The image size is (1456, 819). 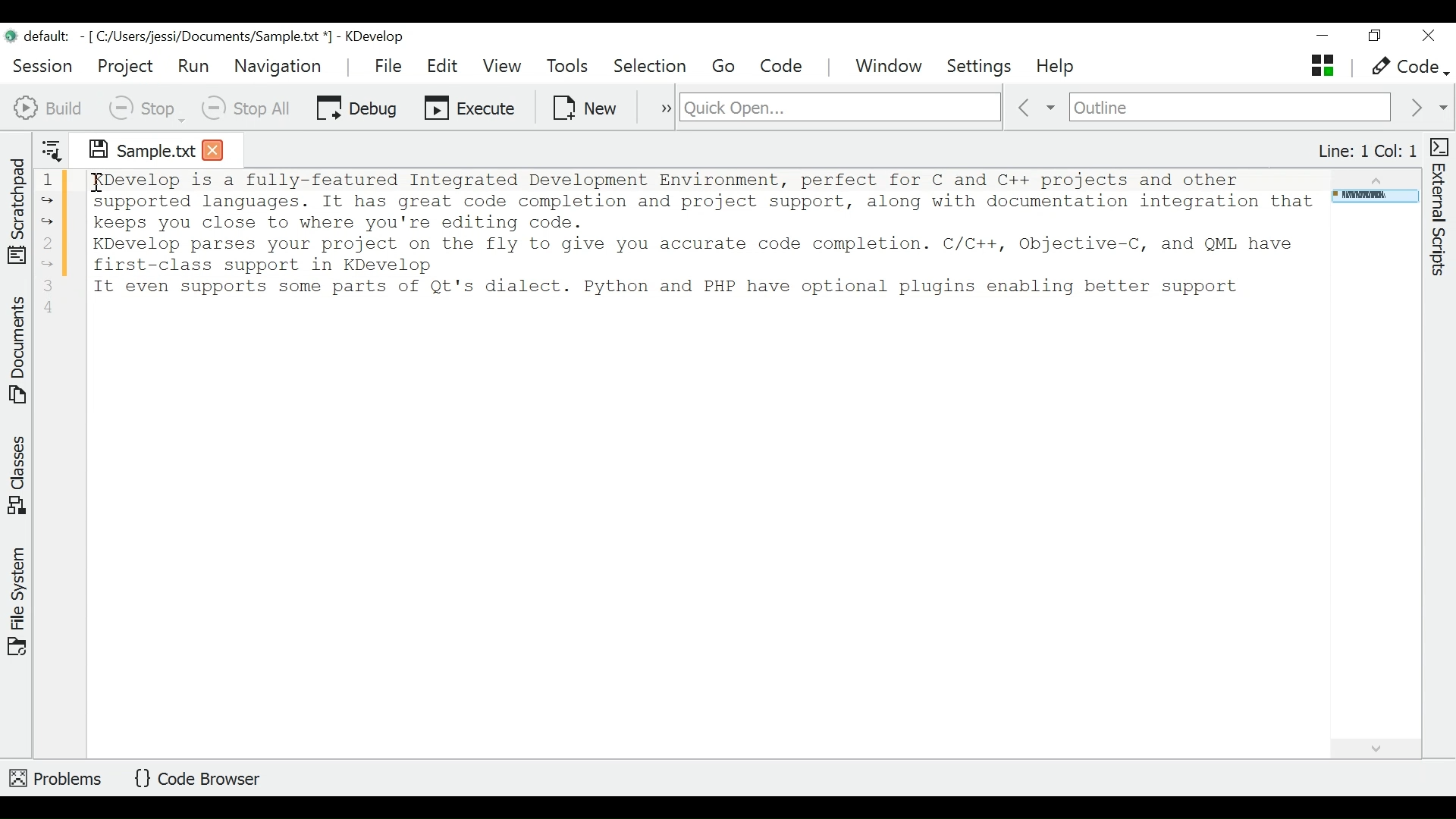 What do you see at coordinates (20, 353) in the screenshot?
I see `Documents` at bounding box center [20, 353].